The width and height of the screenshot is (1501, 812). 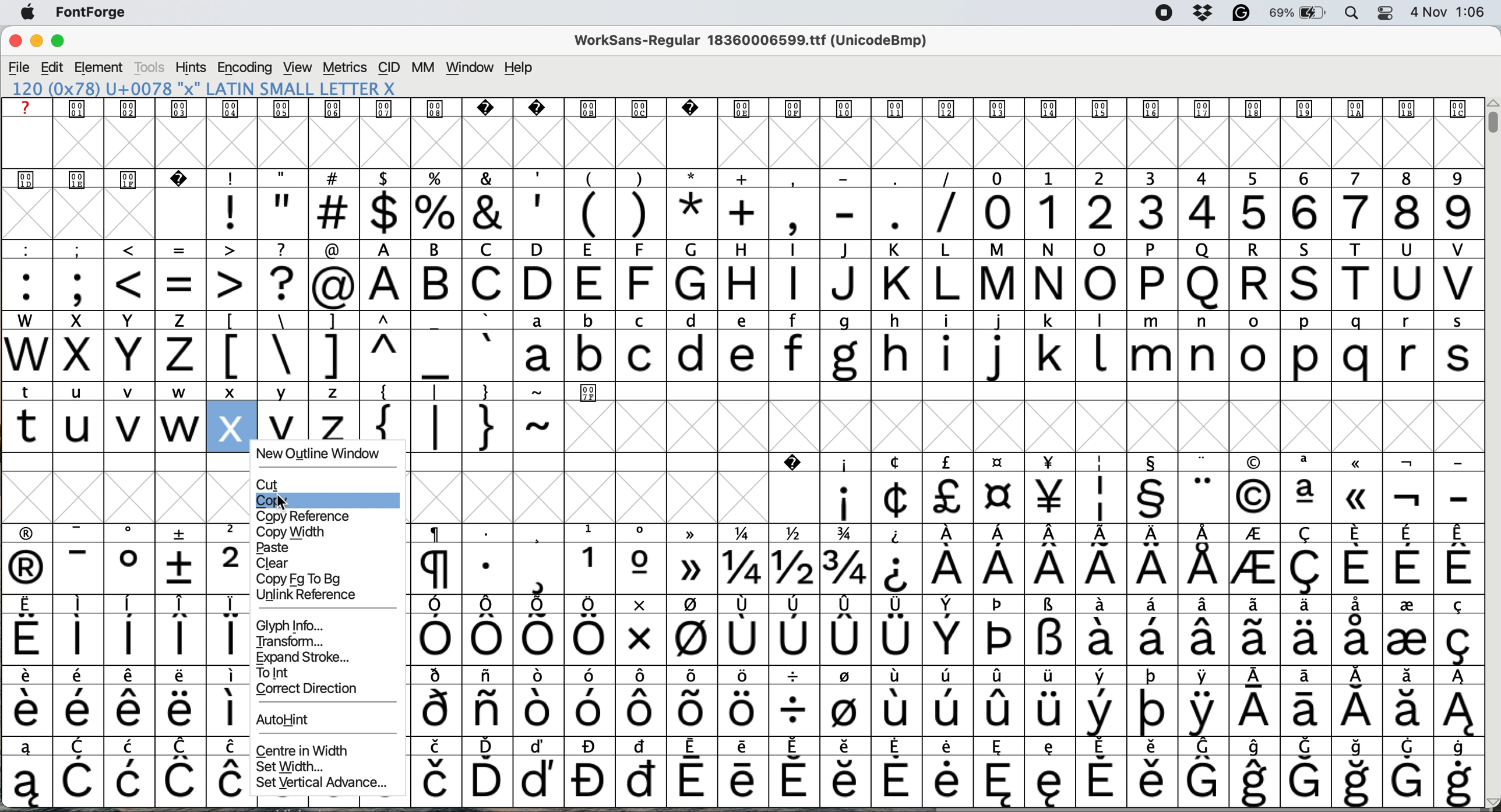 I want to click on system logo, so click(x=33, y=13).